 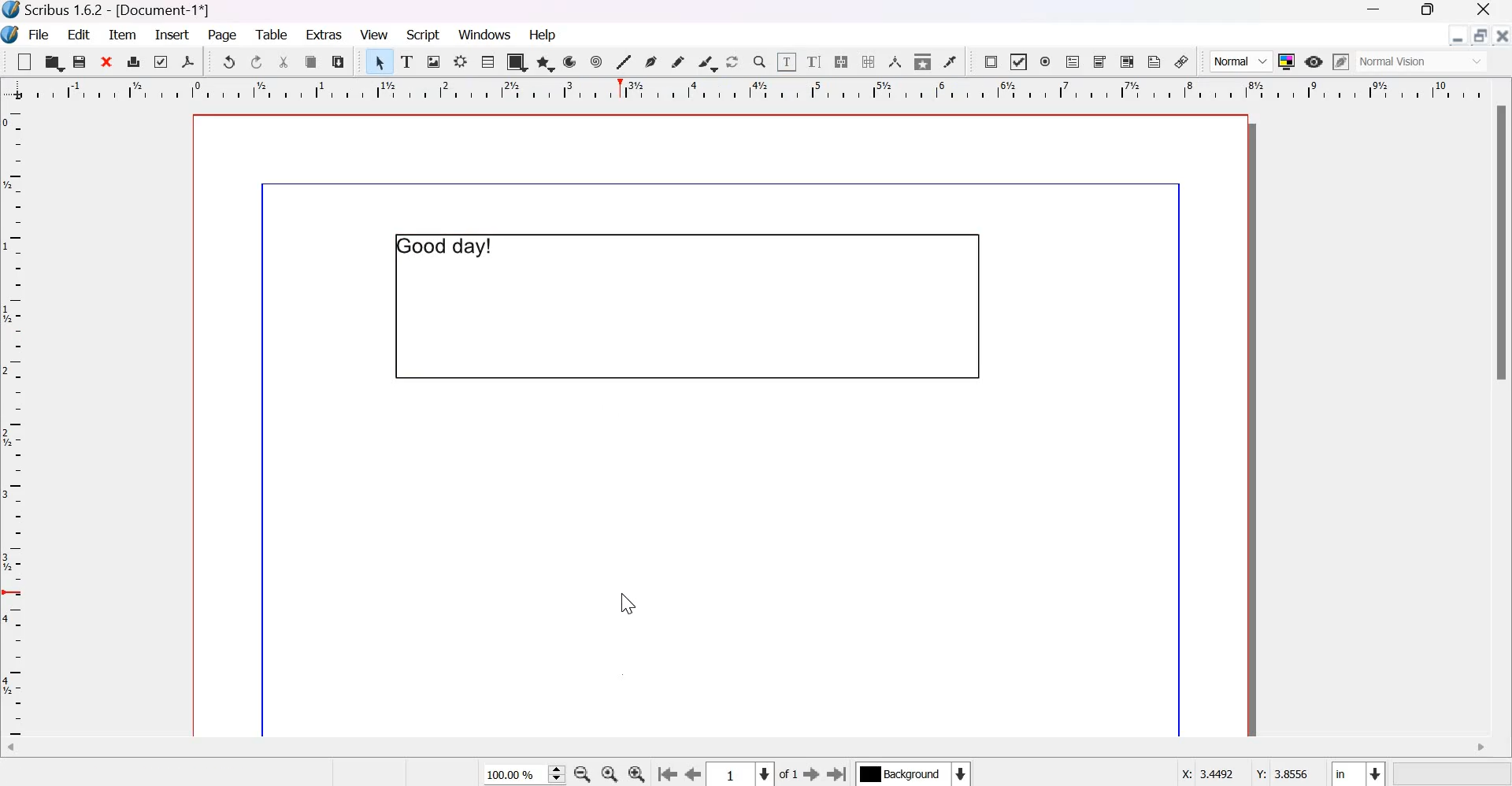 I want to click on PDF check box, so click(x=1017, y=62).